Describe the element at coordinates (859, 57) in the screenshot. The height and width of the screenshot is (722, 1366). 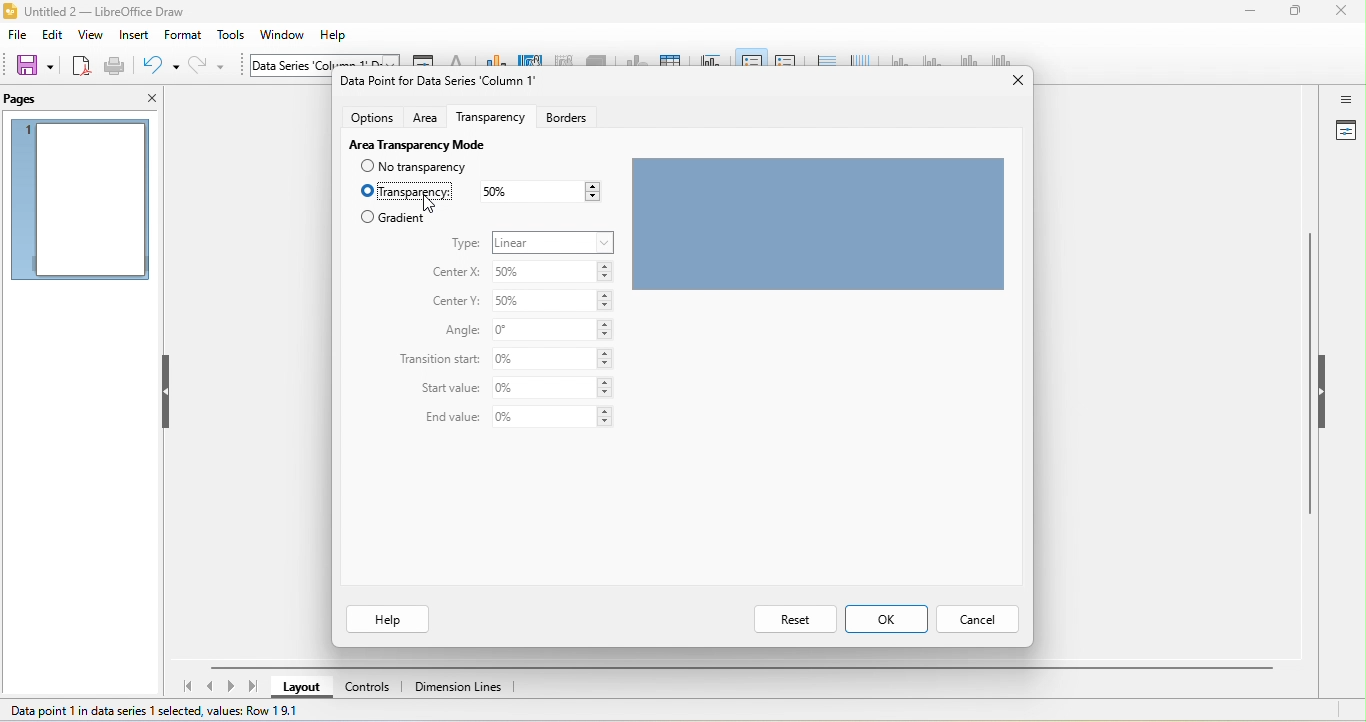
I see `vertical grid` at that location.